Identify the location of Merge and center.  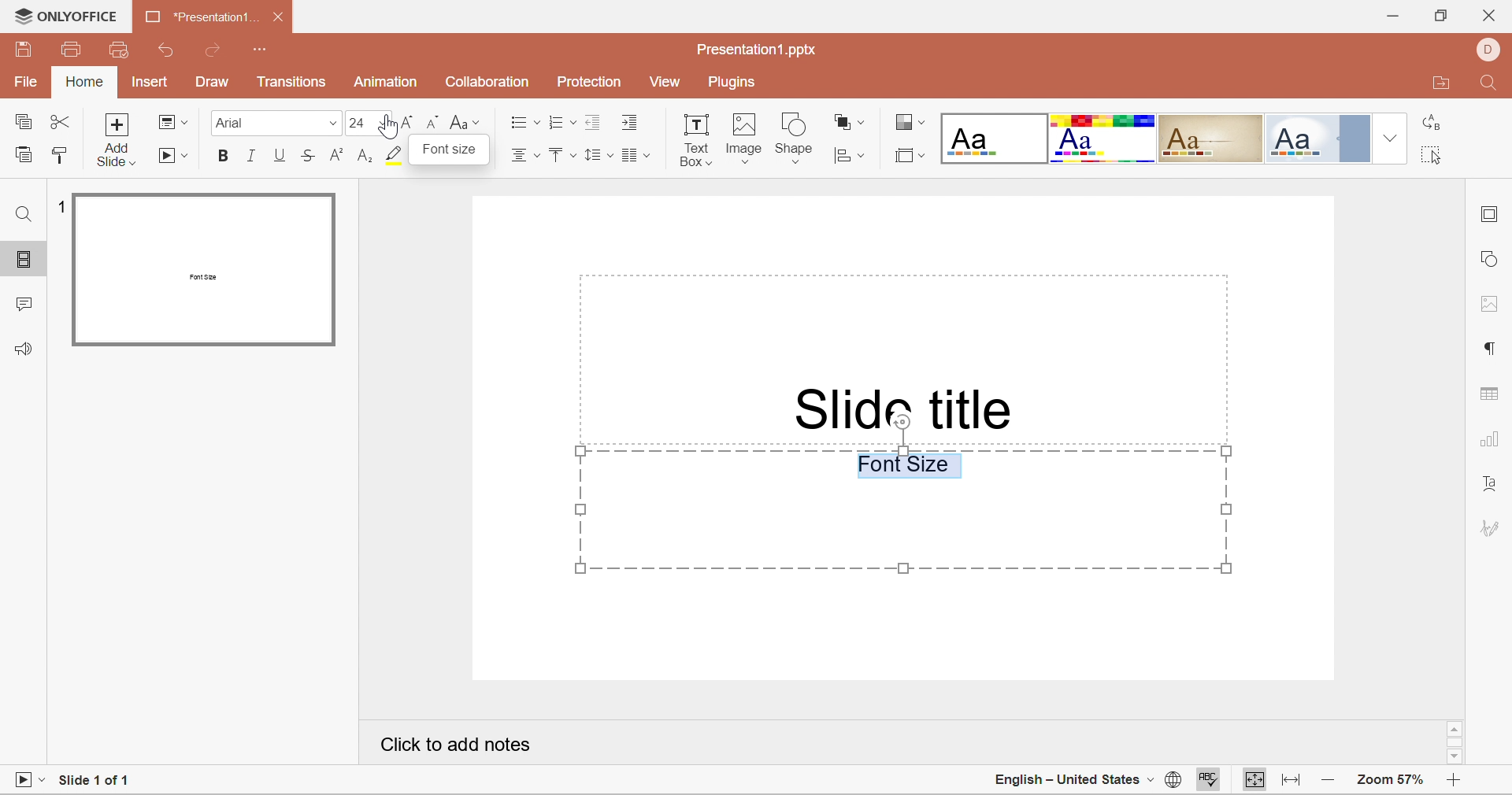
(635, 157).